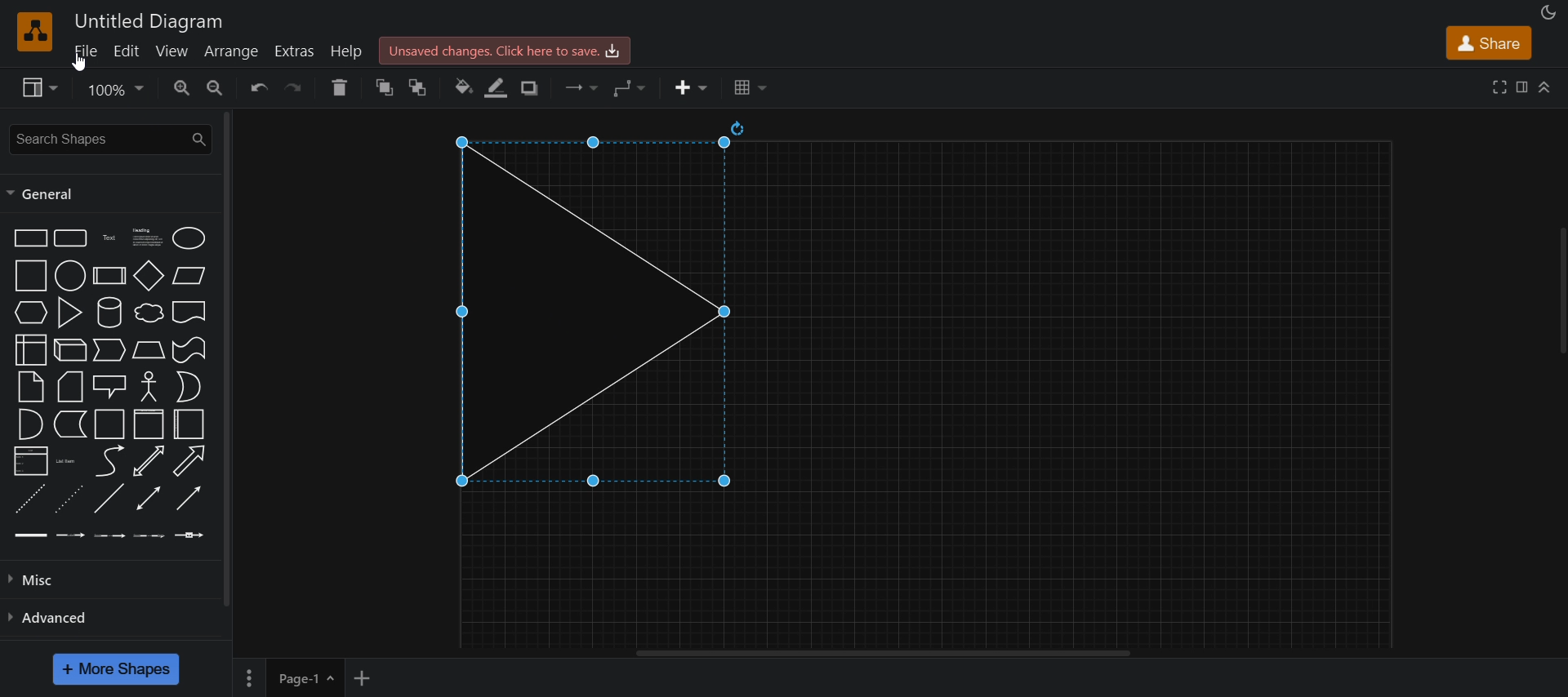 Image resolution: width=1568 pixels, height=697 pixels. Describe the element at coordinates (149, 275) in the screenshot. I see `diamond` at that location.